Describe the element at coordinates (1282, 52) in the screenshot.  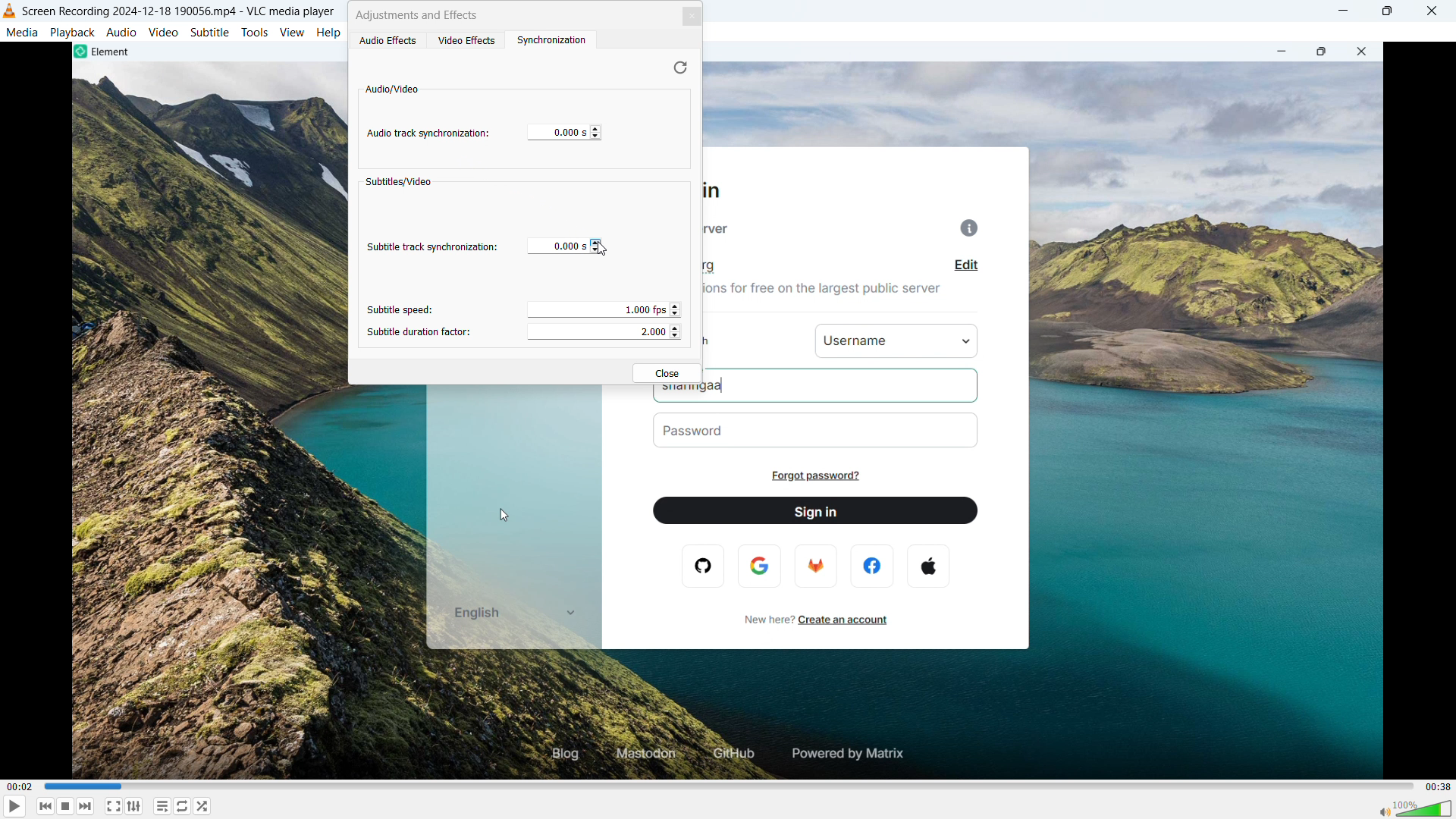
I see `minimize` at that location.